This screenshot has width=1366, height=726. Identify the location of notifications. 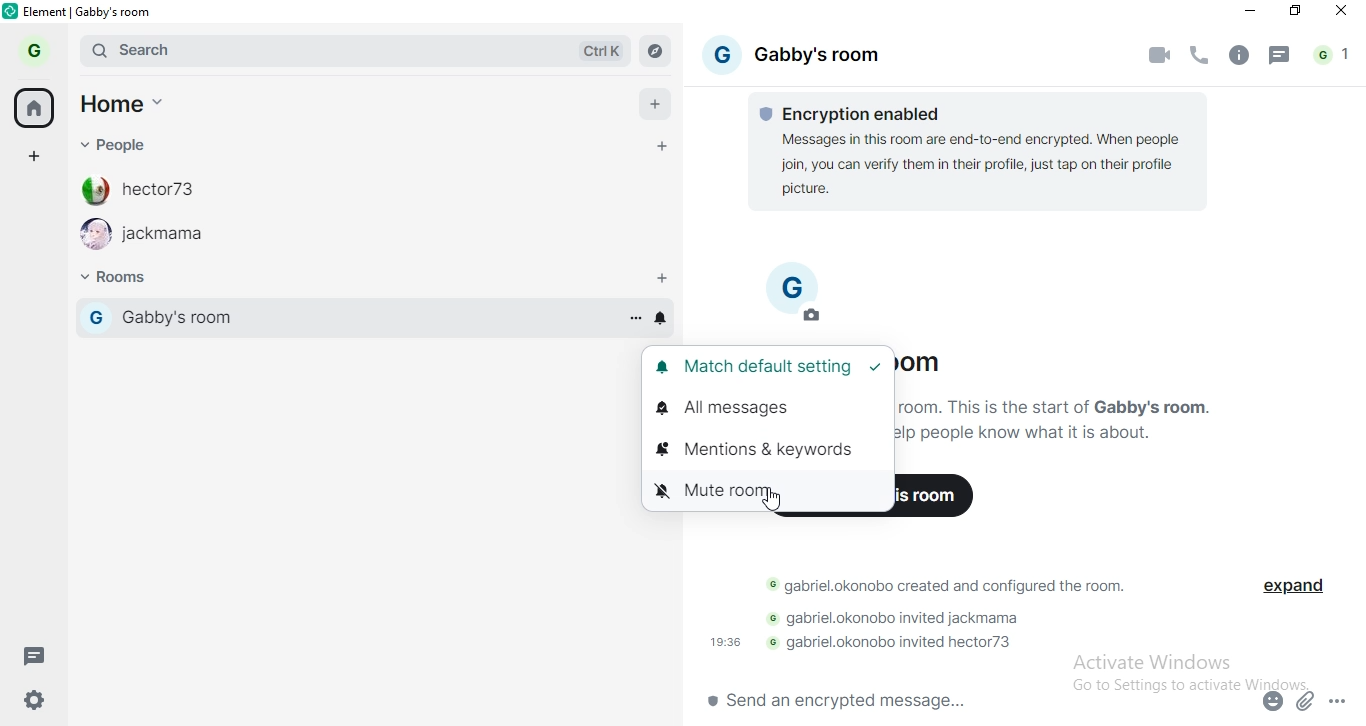
(1339, 50).